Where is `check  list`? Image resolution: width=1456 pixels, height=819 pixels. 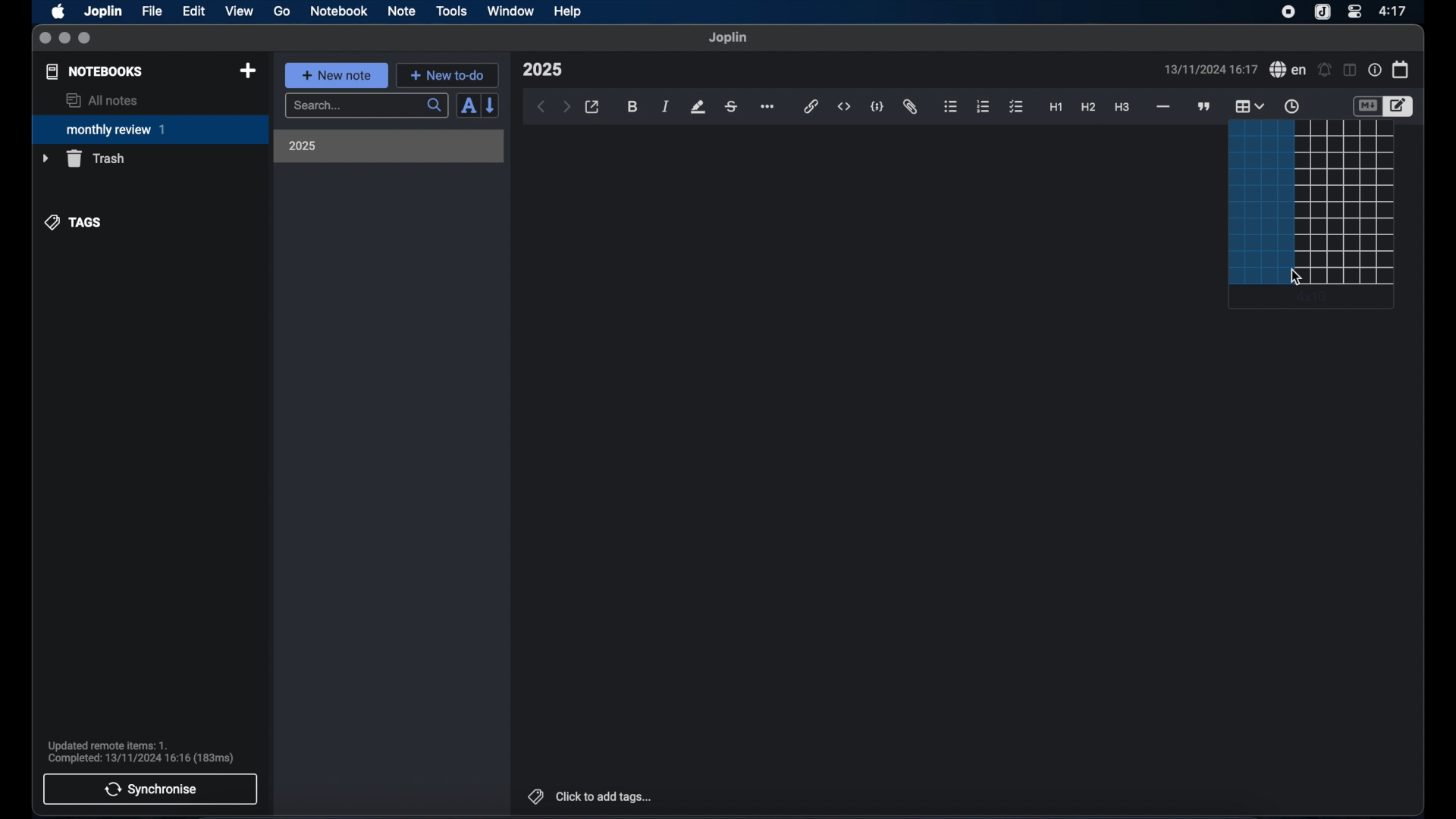 check  list is located at coordinates (1016, 108).